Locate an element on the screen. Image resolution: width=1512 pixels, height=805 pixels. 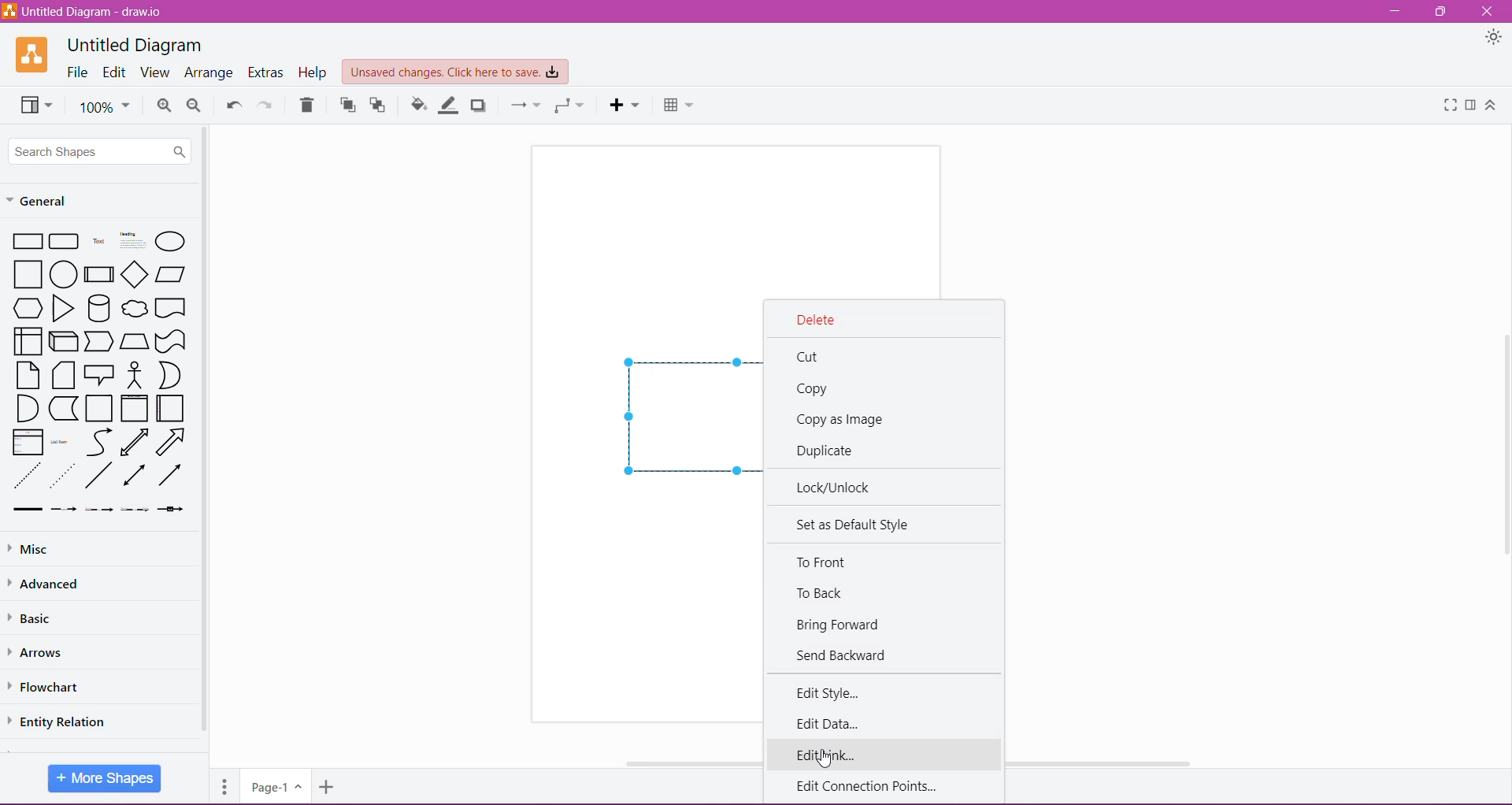
To Front is located at coordinates (346, 105).